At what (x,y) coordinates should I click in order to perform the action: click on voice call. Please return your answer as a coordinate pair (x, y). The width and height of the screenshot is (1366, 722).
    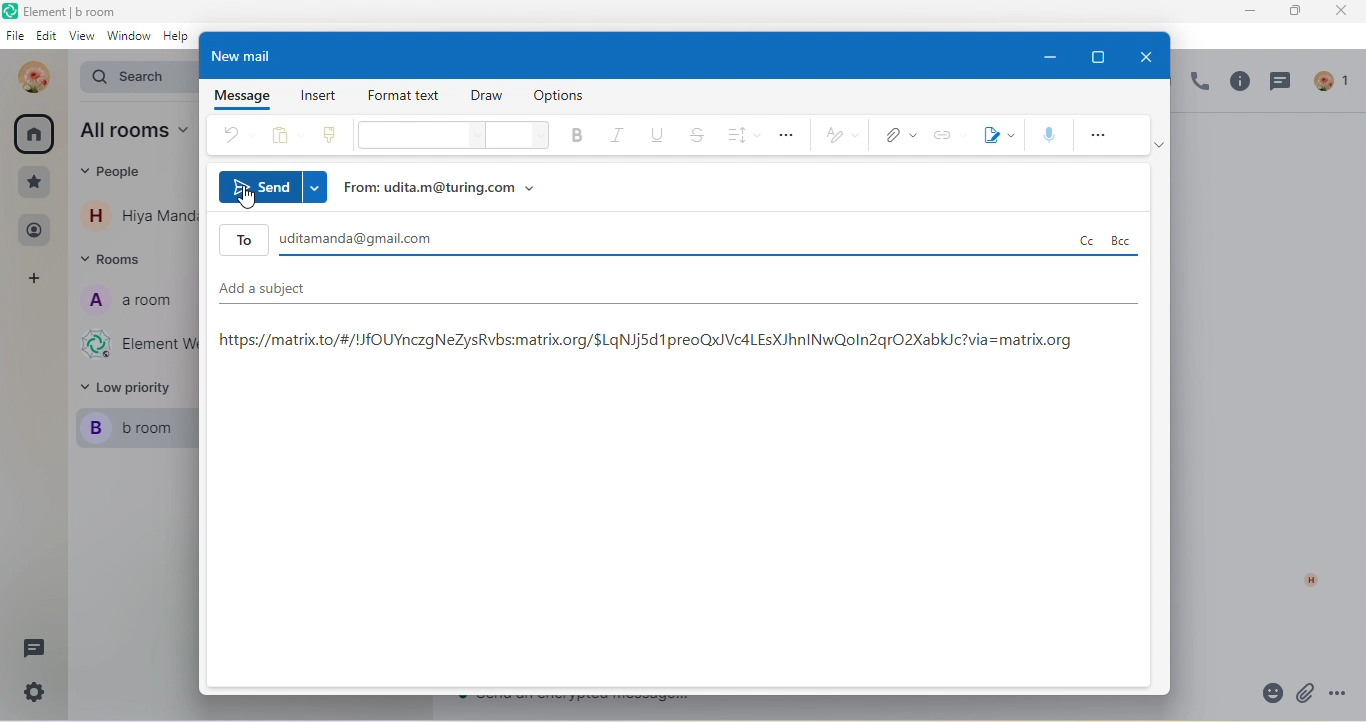
    Looking at the image, I should click on (1197, 85).